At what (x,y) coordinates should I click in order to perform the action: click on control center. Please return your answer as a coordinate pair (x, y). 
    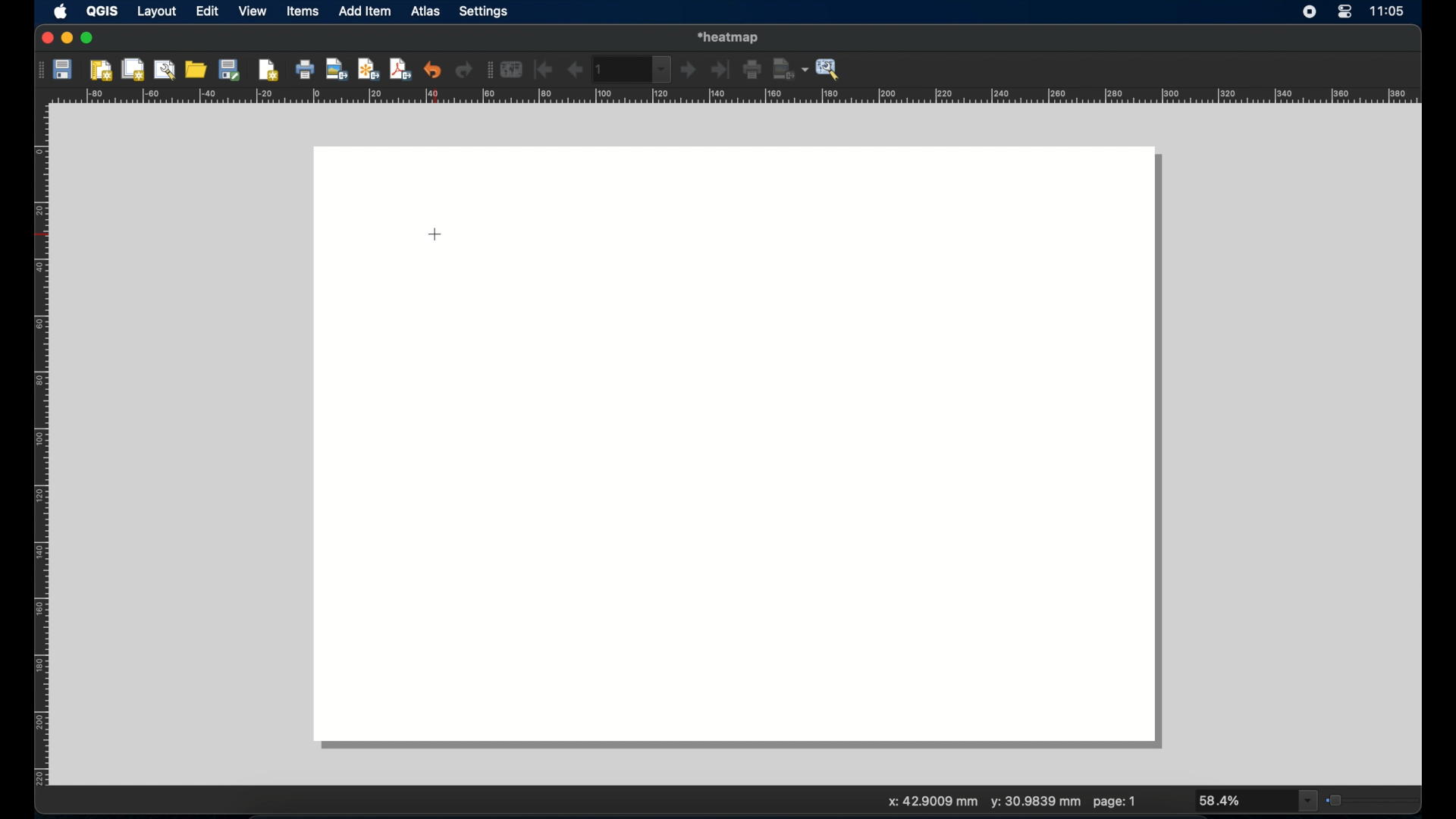
    Looking at the image, I should click on (1345, 13).